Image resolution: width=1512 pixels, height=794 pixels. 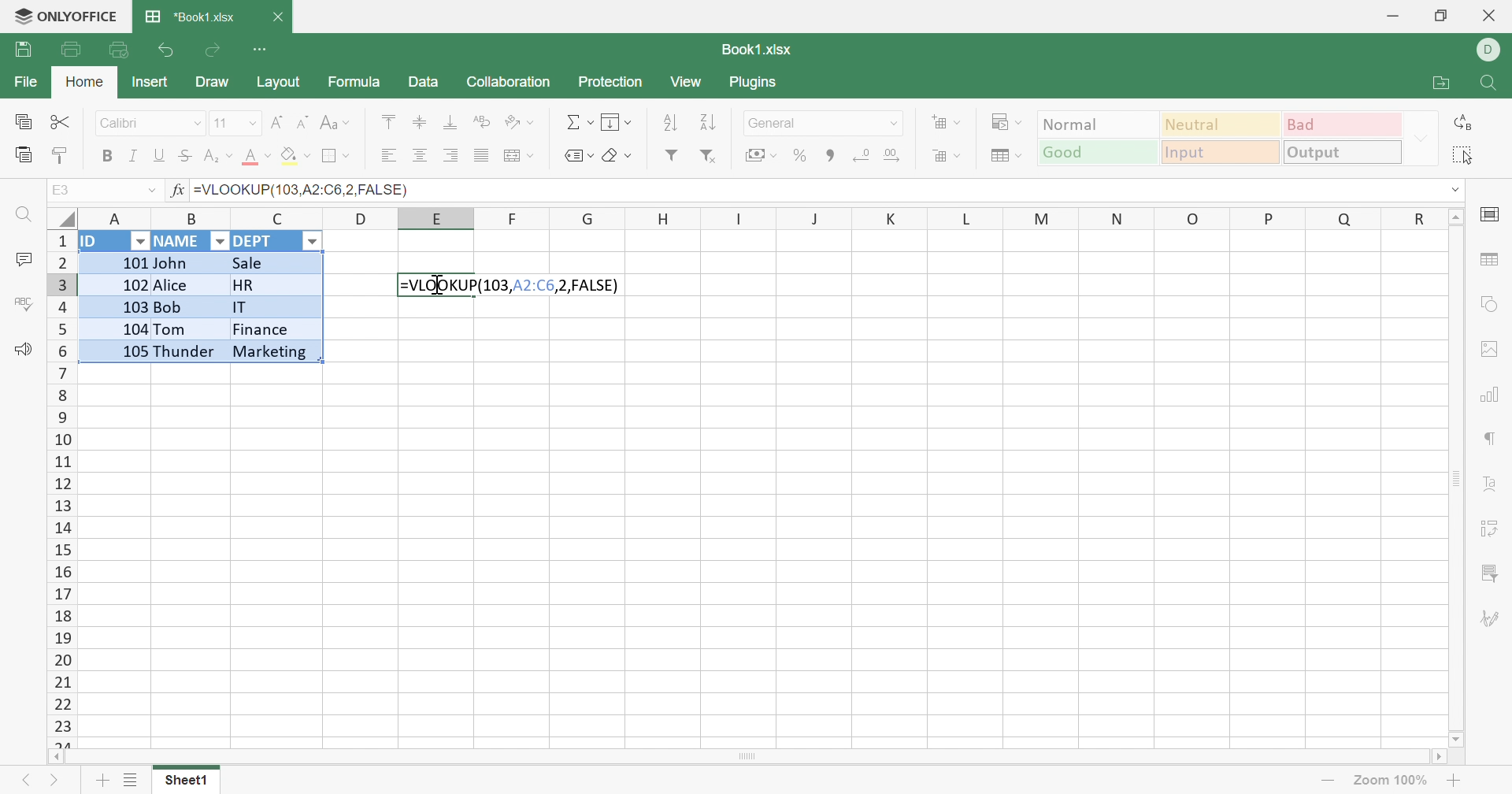 What do you see at coordinates (117, 306) in the screenshot?
I see `103` at bounding box center [117, 306].